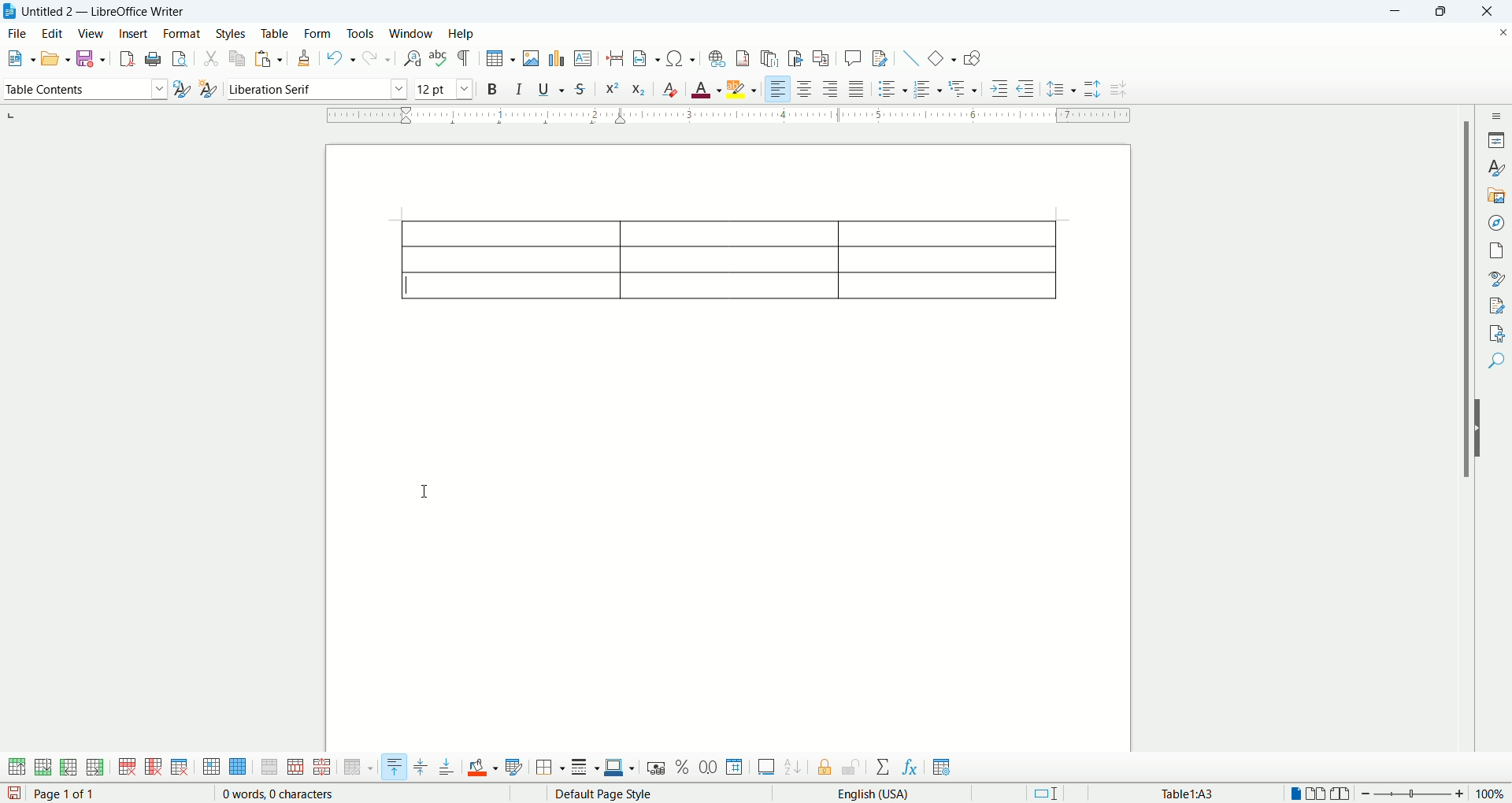 The image size is (1512, 803). What do you see at coordinates (868, 794) in the screenshot?
I see `english (USA)` at bounding box center [868, 794].